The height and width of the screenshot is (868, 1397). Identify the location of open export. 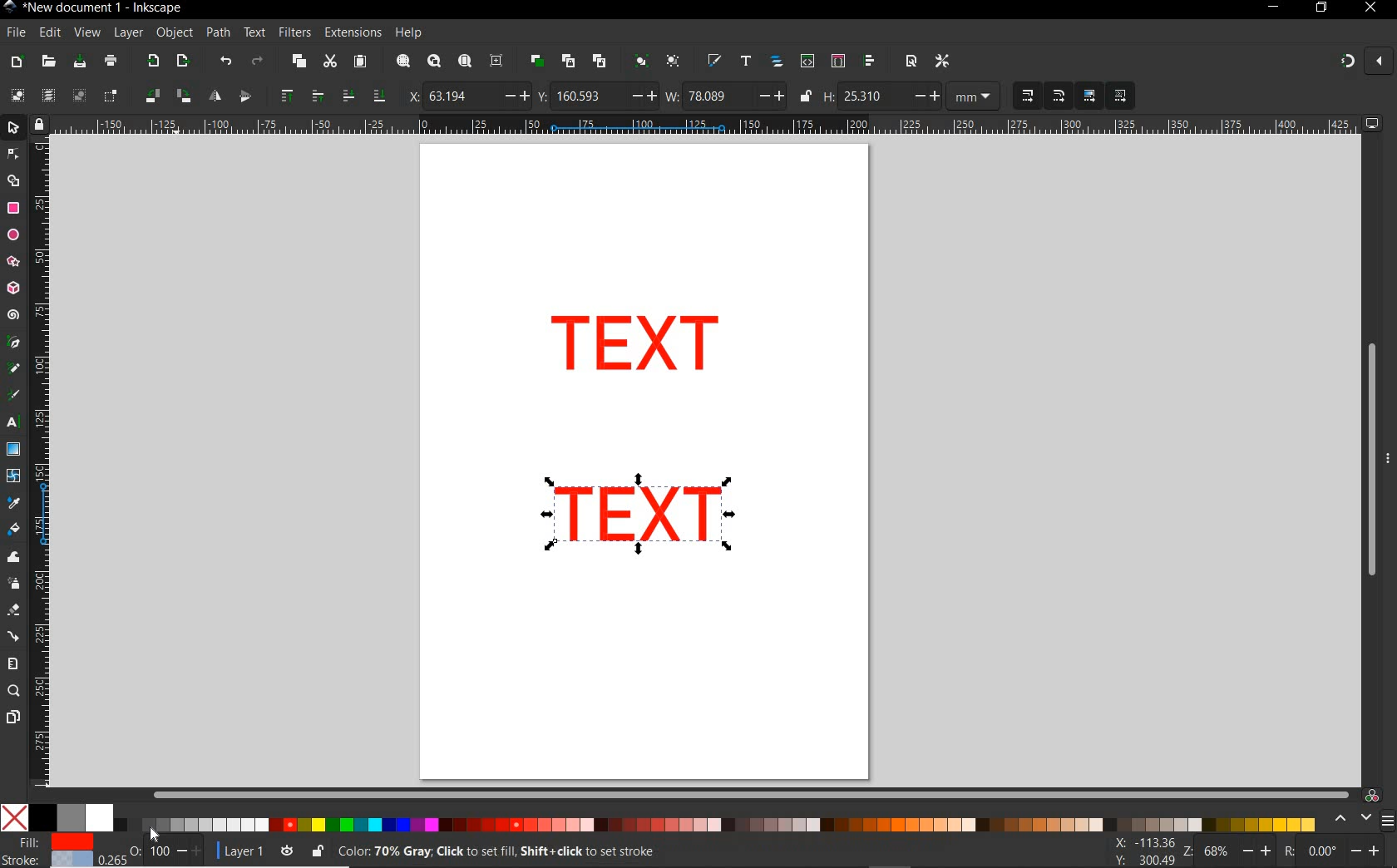
(182, 62).